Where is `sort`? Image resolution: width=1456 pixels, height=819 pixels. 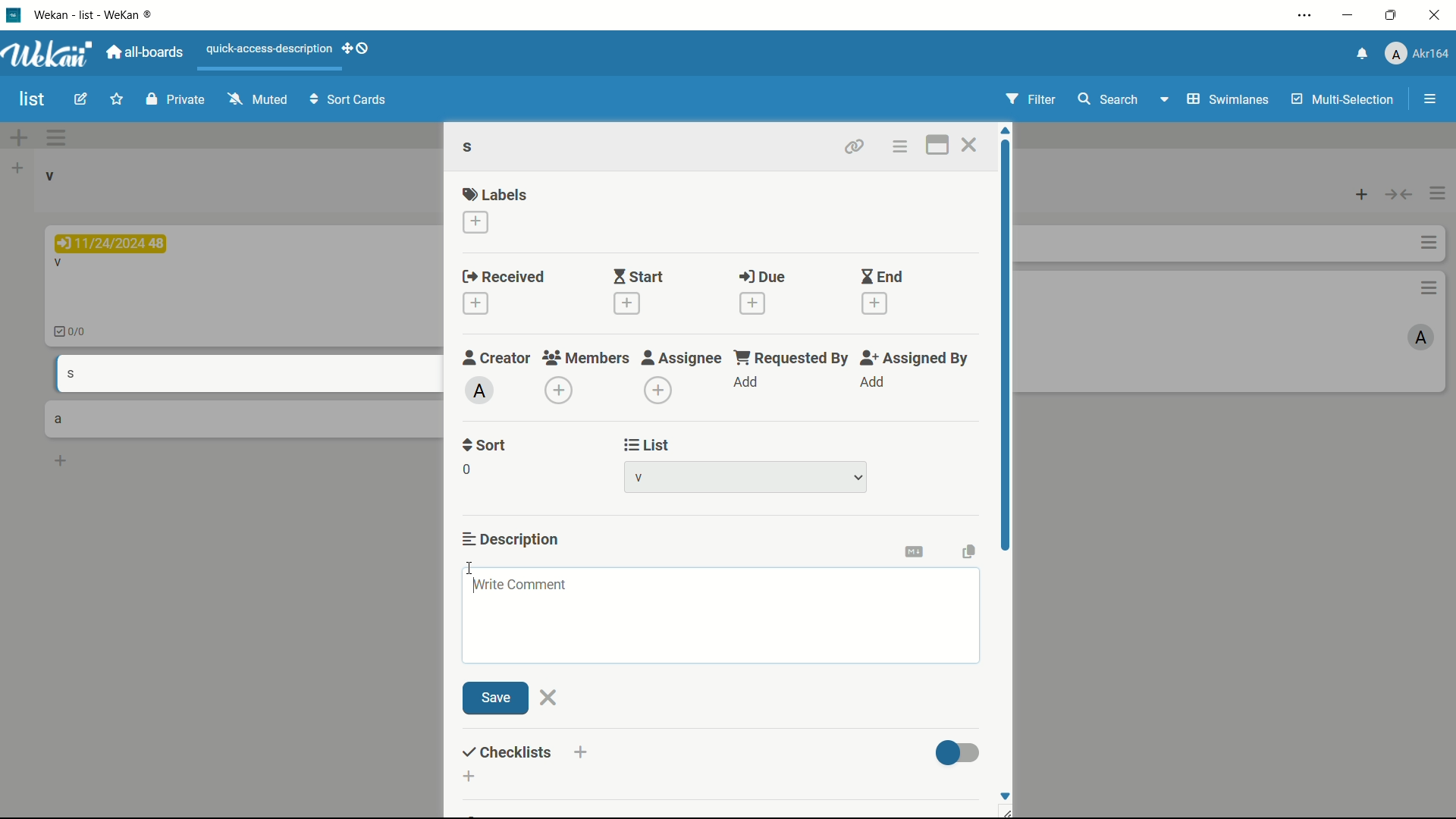 sort is located at coordinates (485, 447).